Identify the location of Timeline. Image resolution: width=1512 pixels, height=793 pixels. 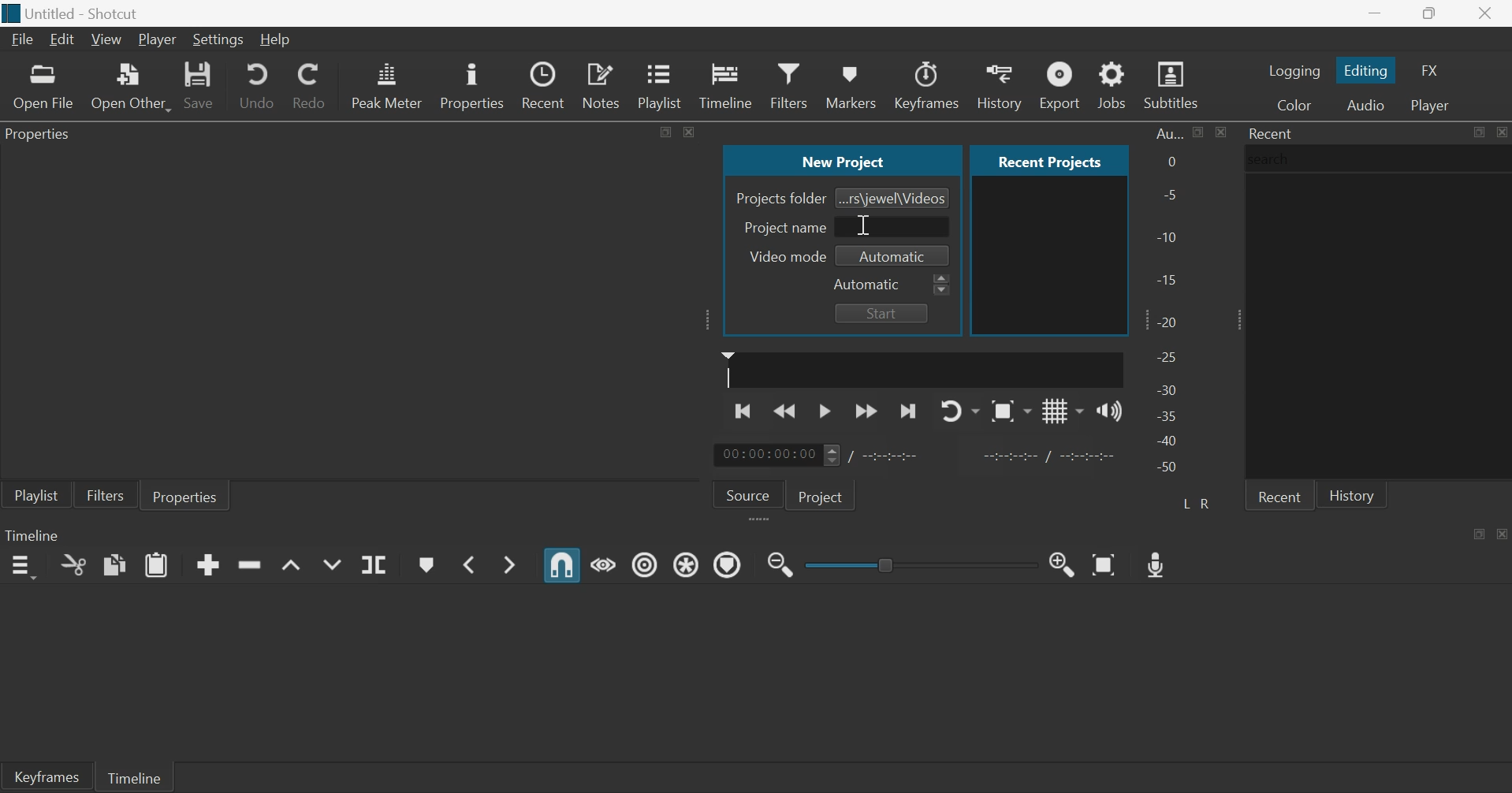
(32, 534).